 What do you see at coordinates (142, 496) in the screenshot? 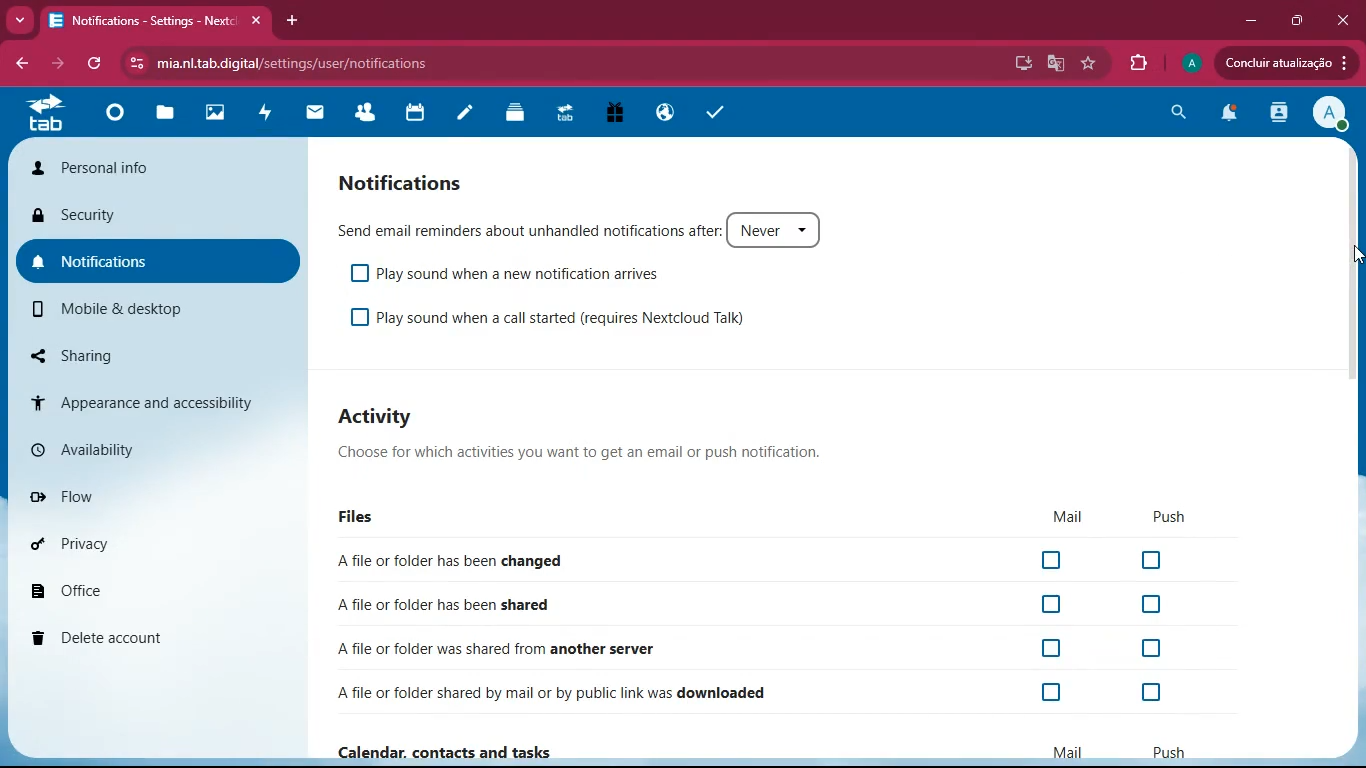
I see `flow` at bounding box center [142, 496].